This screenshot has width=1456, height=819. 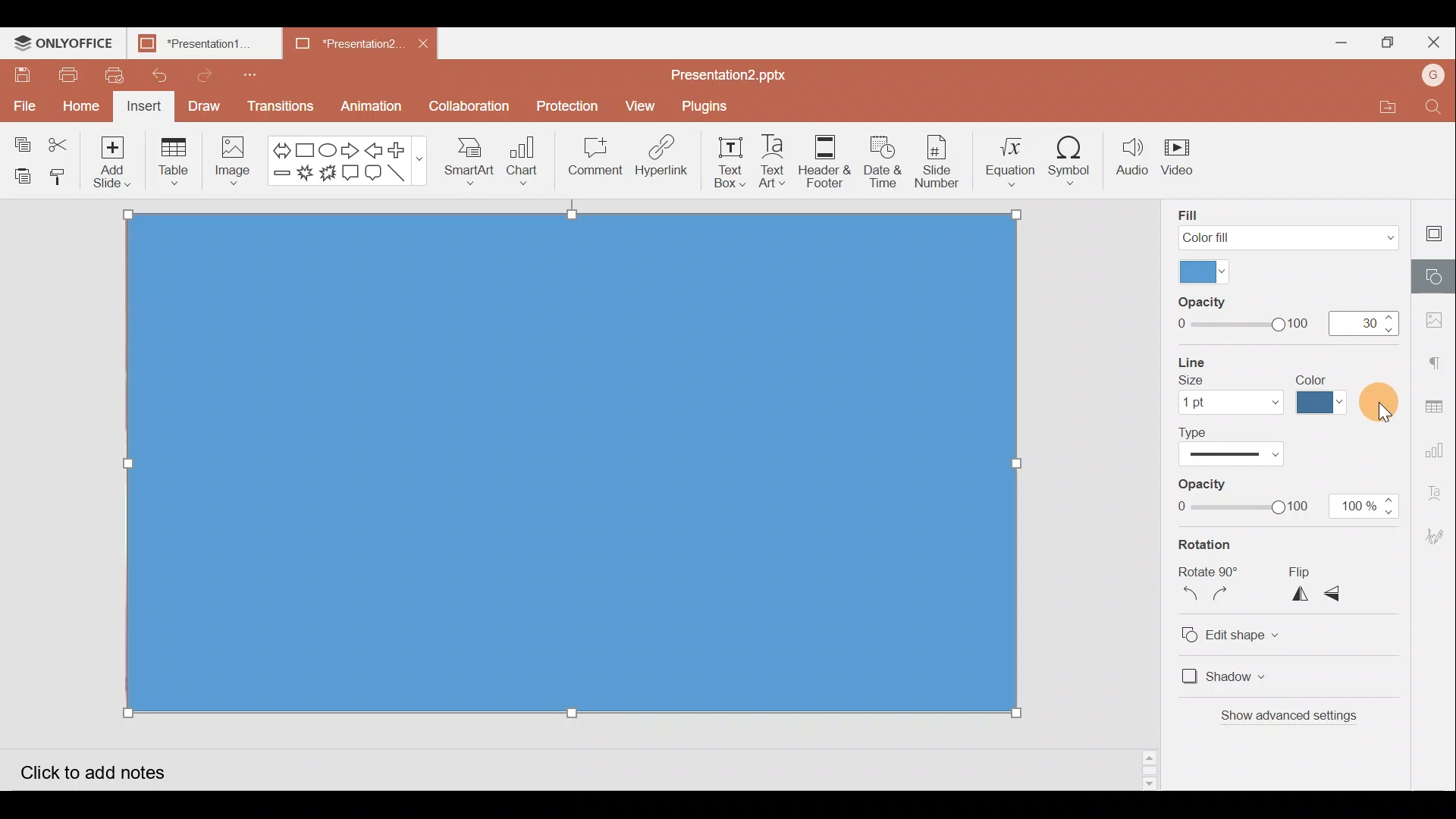 What do you see at coordinates (246, 72) in the screenshot?
I see `Customize quick access toolbar` at bounding box center [246, 72].